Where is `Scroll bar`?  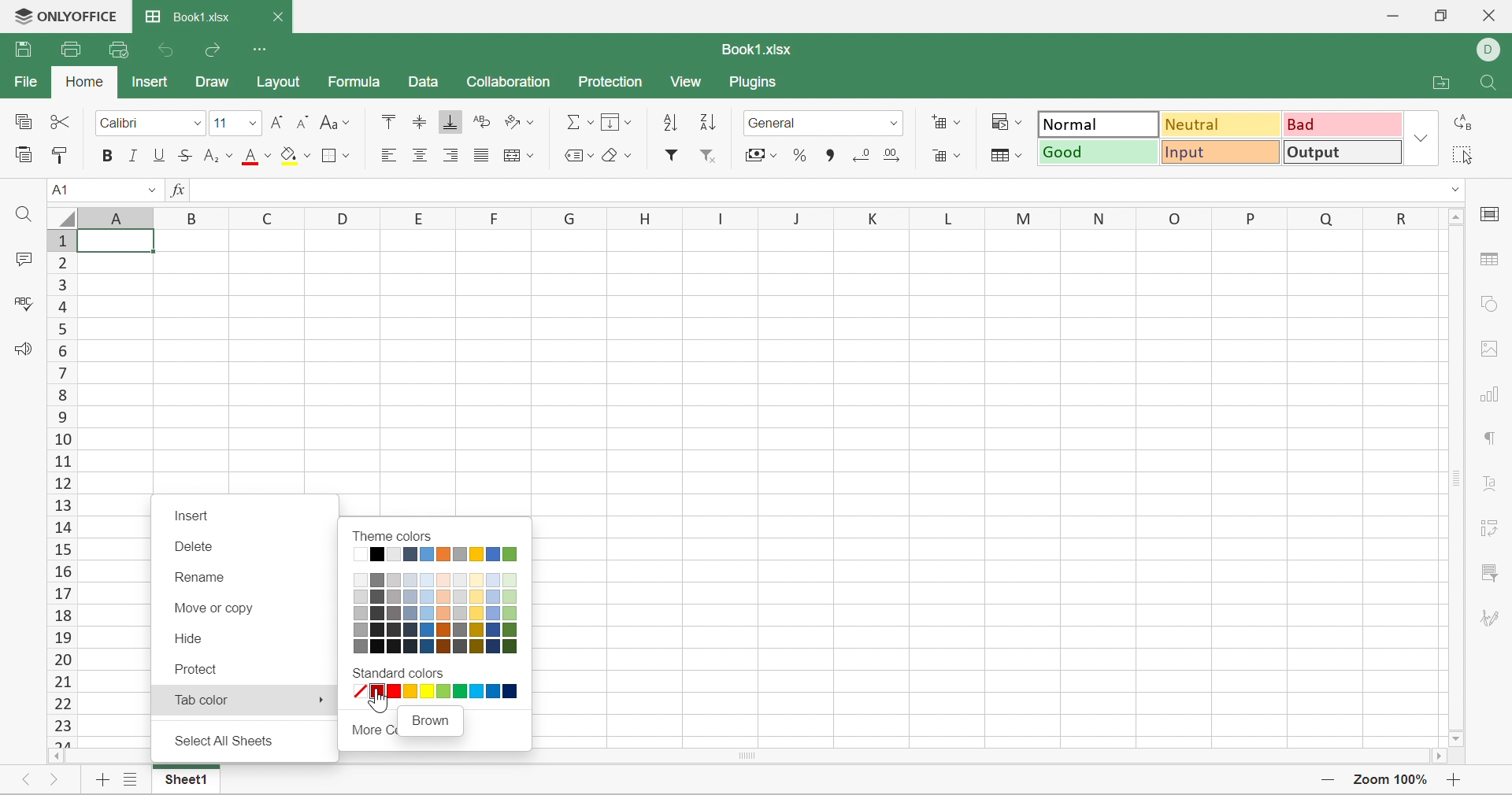
Scroll bar is located at coordinates (1456, 478).